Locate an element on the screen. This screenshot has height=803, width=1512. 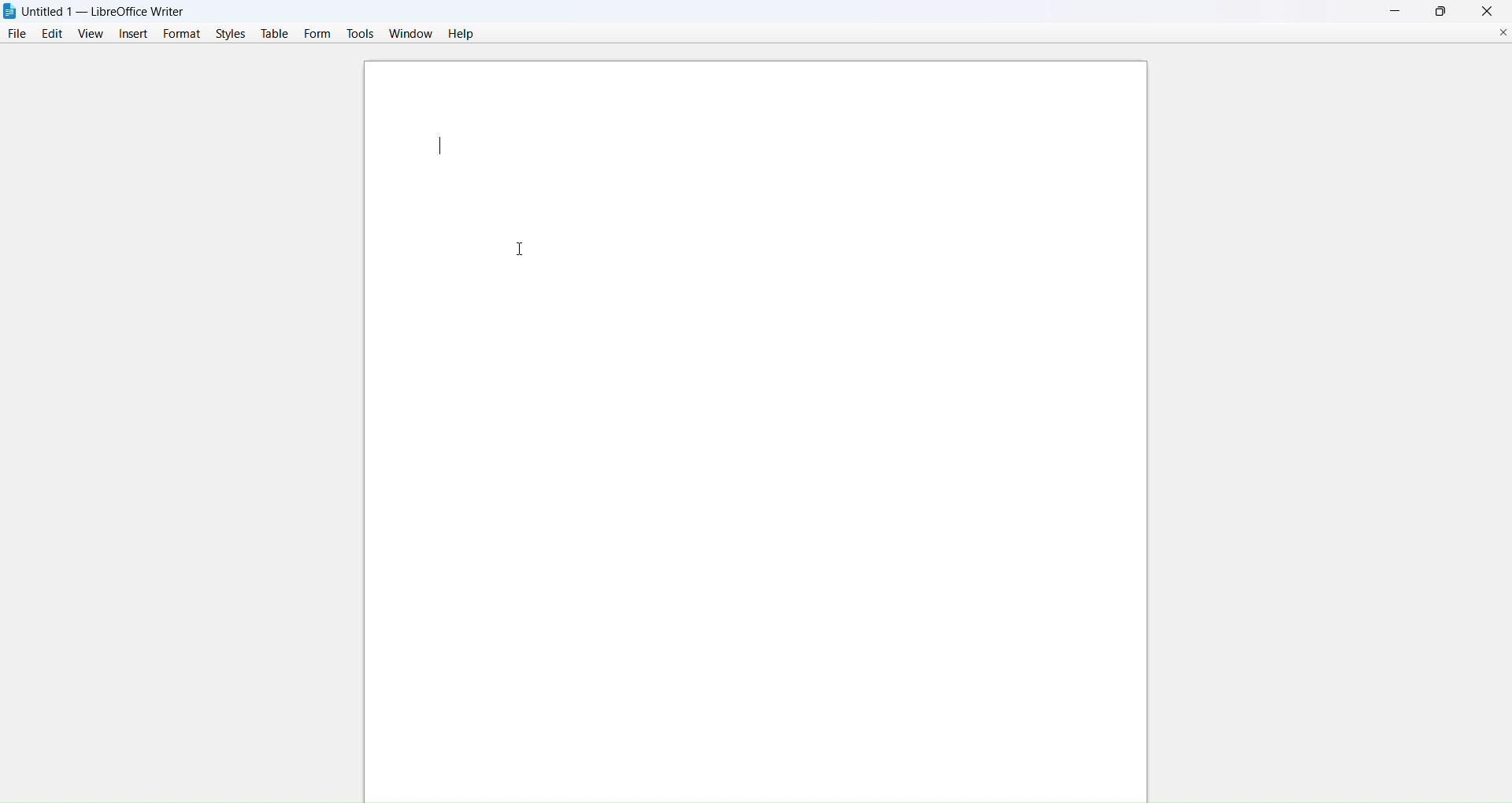
format is located at coordinates (184, 34).